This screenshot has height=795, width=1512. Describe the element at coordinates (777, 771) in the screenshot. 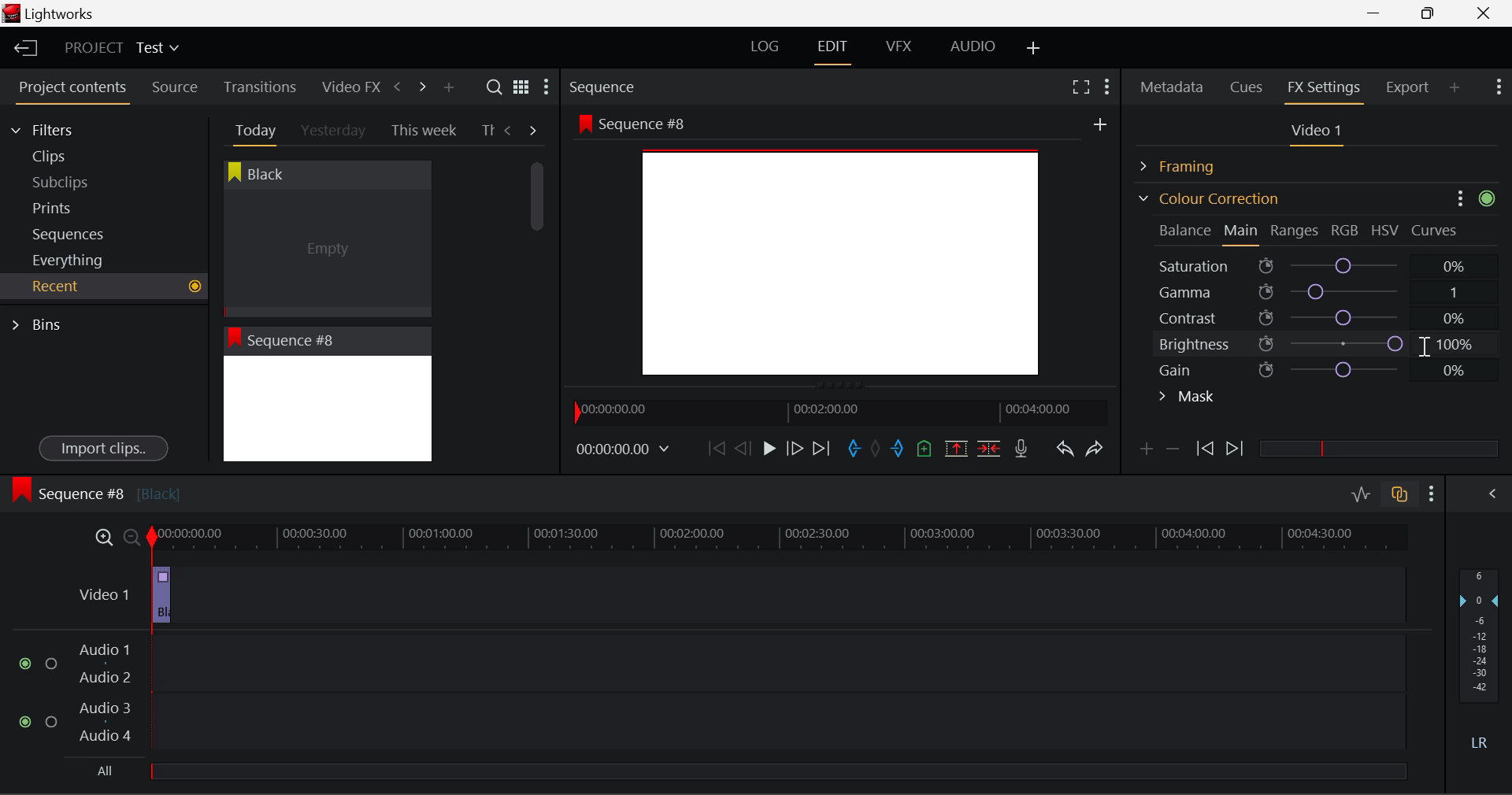

I see `slider` at that location.